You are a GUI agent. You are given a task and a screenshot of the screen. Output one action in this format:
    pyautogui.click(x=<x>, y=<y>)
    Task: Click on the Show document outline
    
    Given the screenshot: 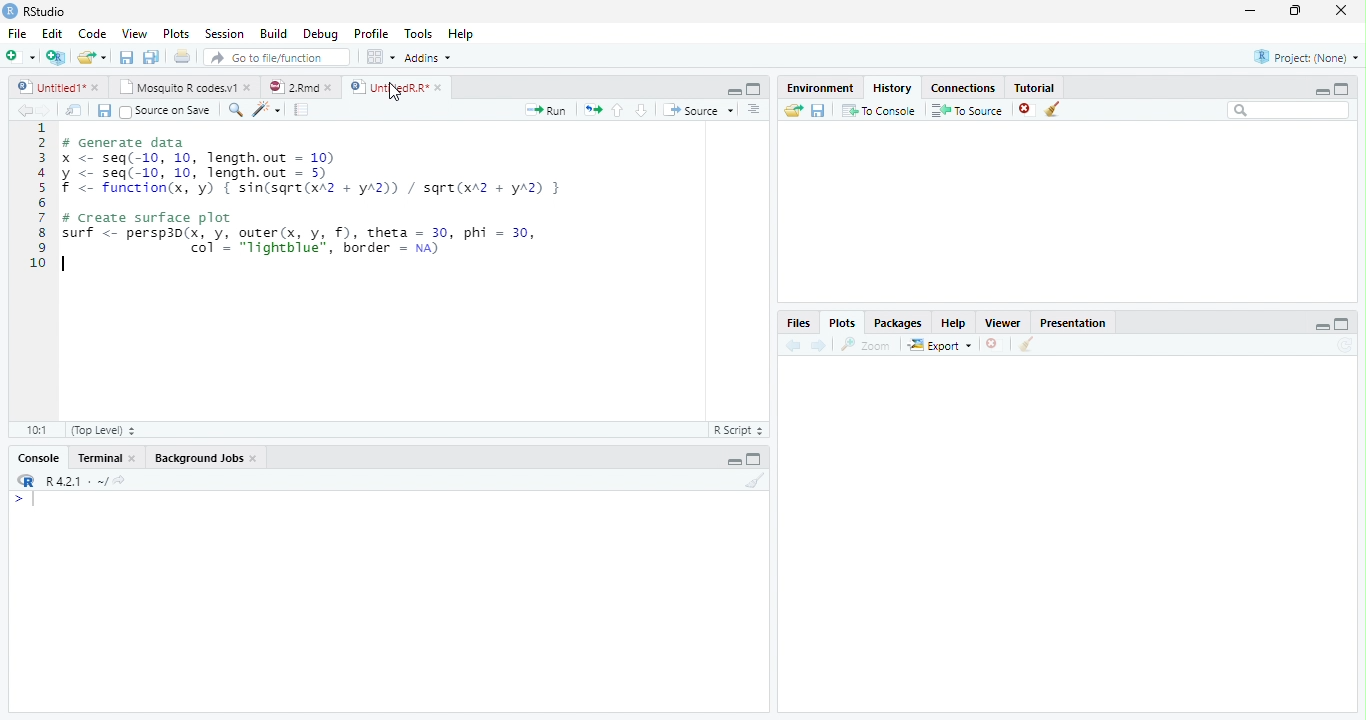 What is the action you would take?
    pyautogui.click(x=753, y=108)
    